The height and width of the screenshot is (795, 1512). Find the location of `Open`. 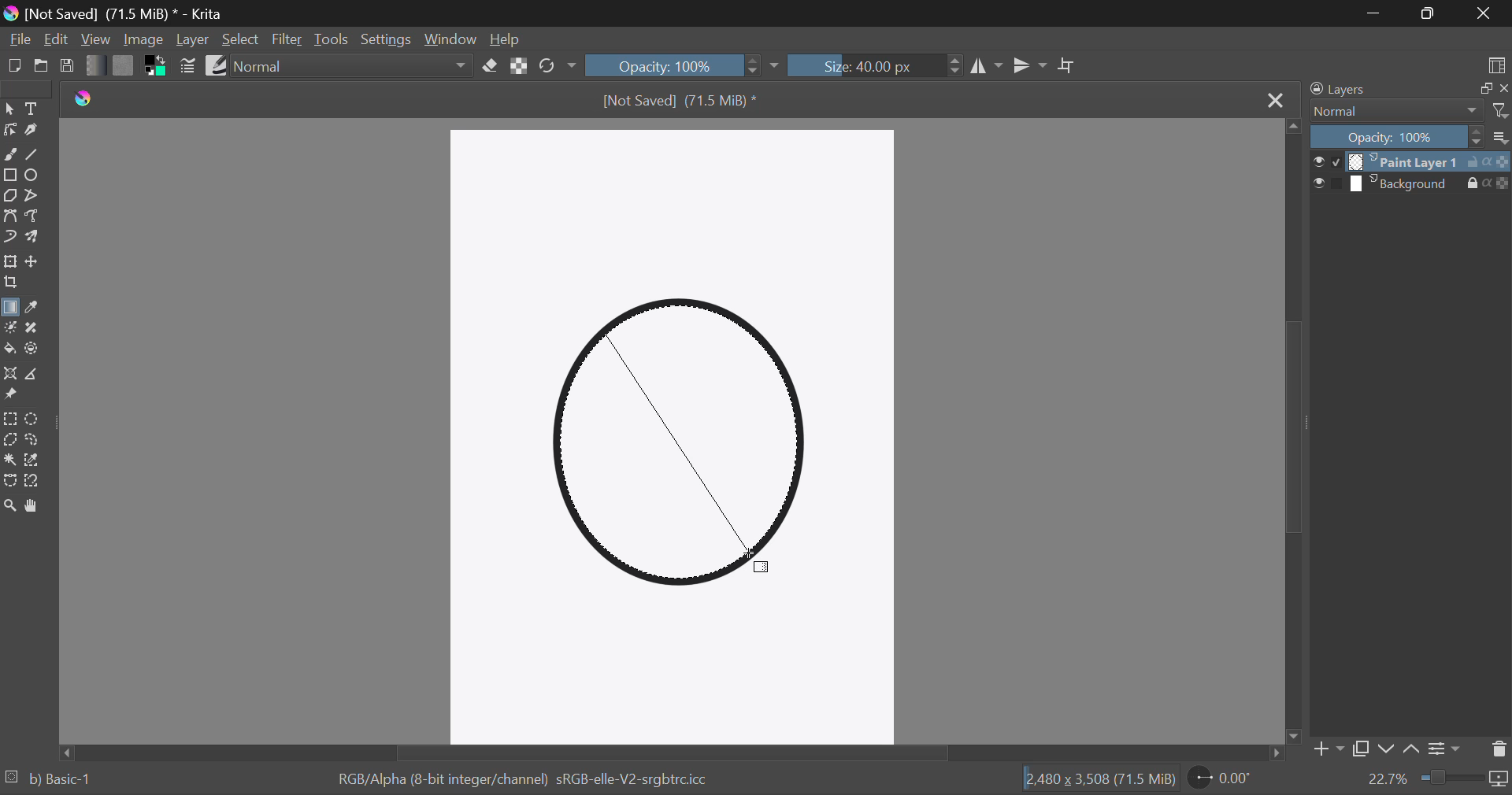

Open is located at coordinates (41, 66).